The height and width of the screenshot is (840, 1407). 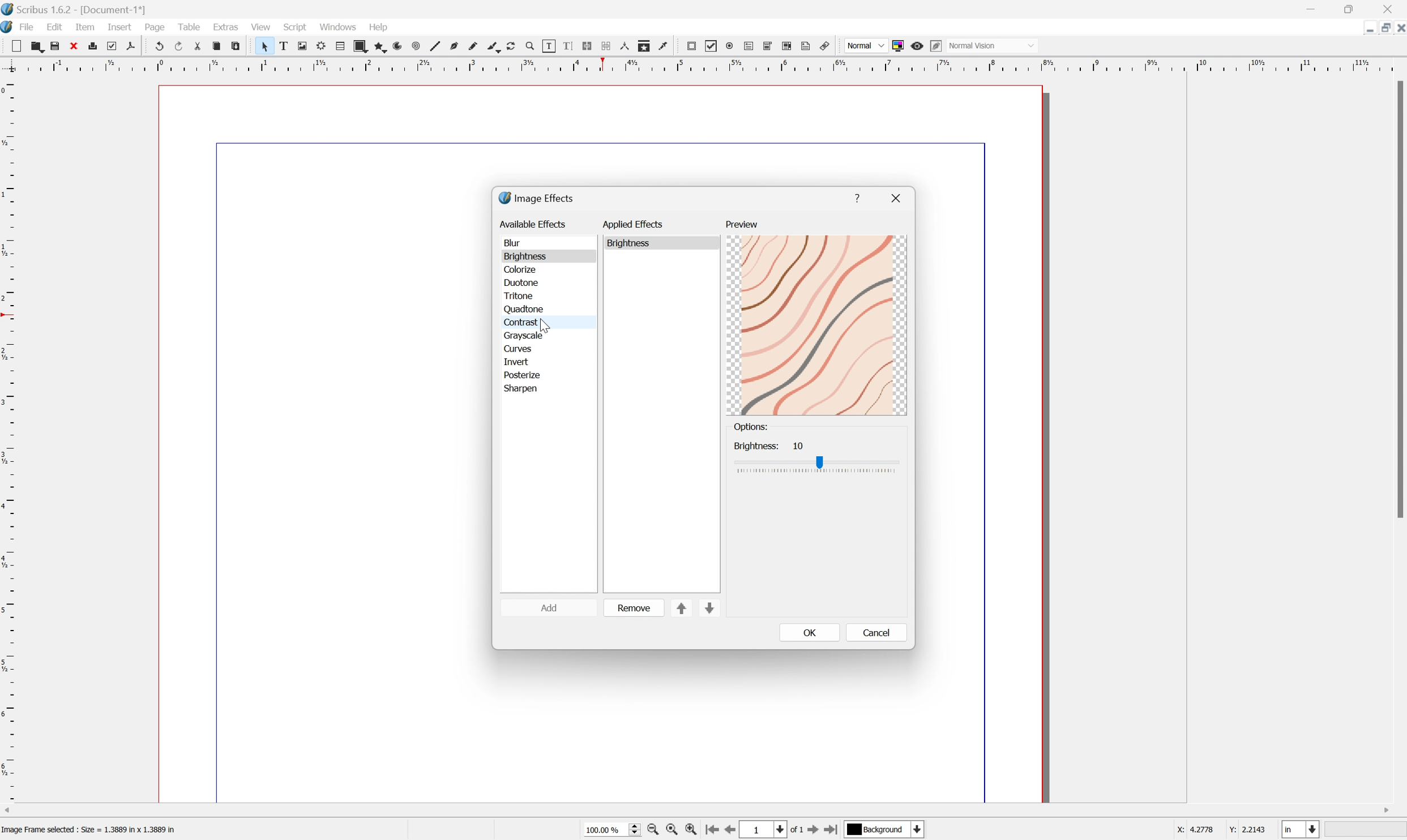 I want to click on OK, so click(x=809, y=632).